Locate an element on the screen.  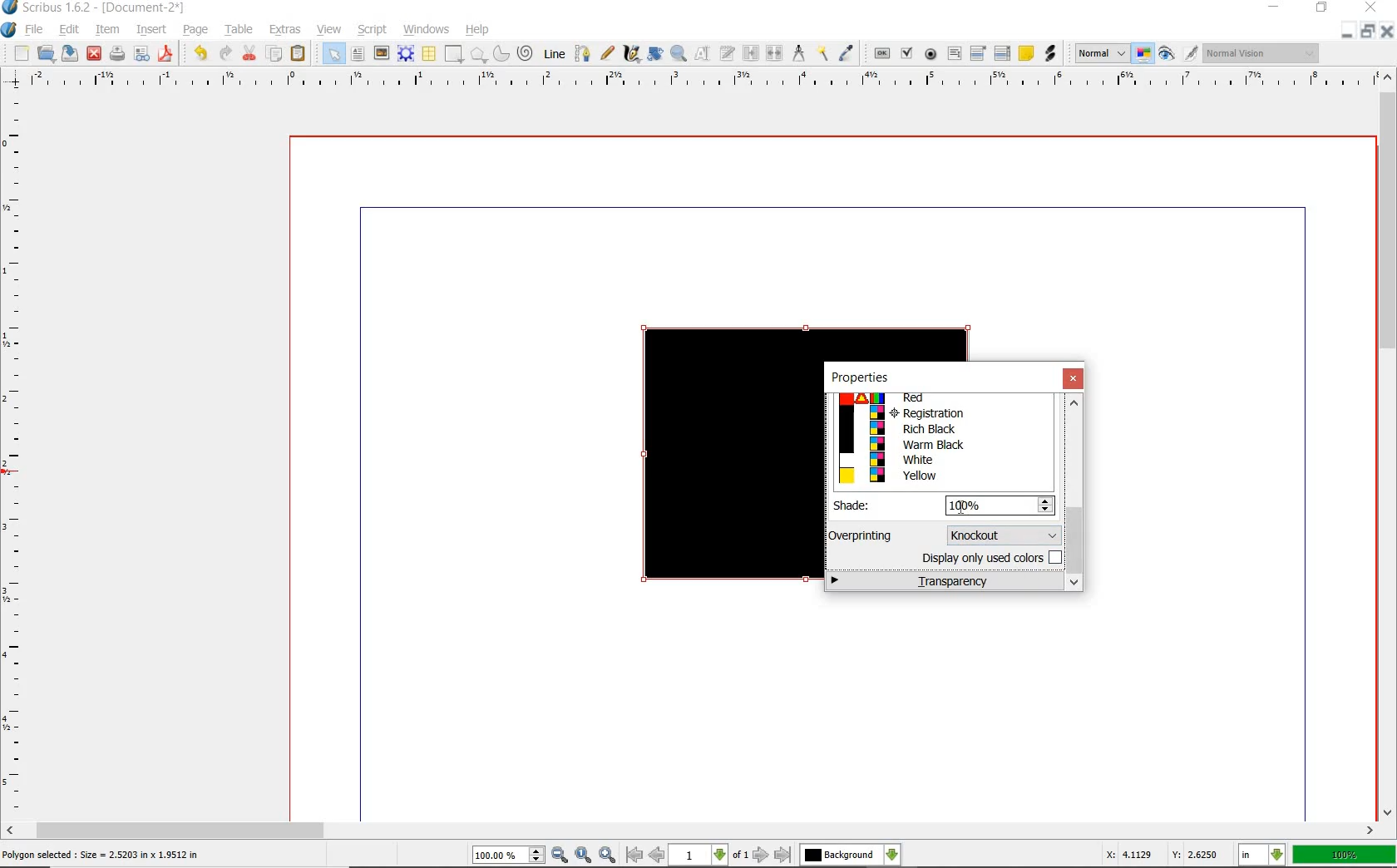
Warm Black is located at coordinates (942, 445).